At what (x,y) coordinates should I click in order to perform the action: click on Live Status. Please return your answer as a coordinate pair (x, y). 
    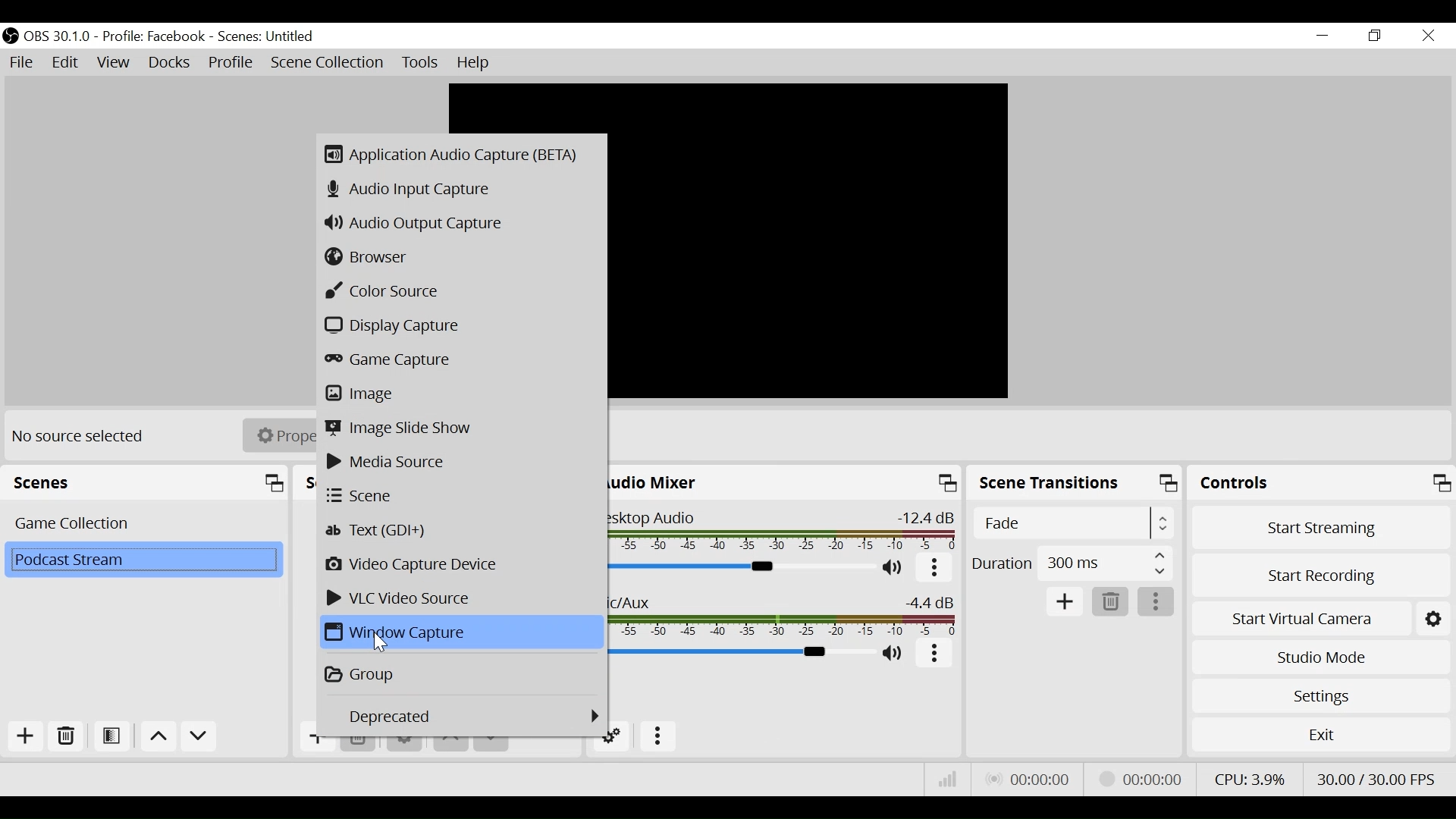
    Looking at the image, I should click on (1027, 779).